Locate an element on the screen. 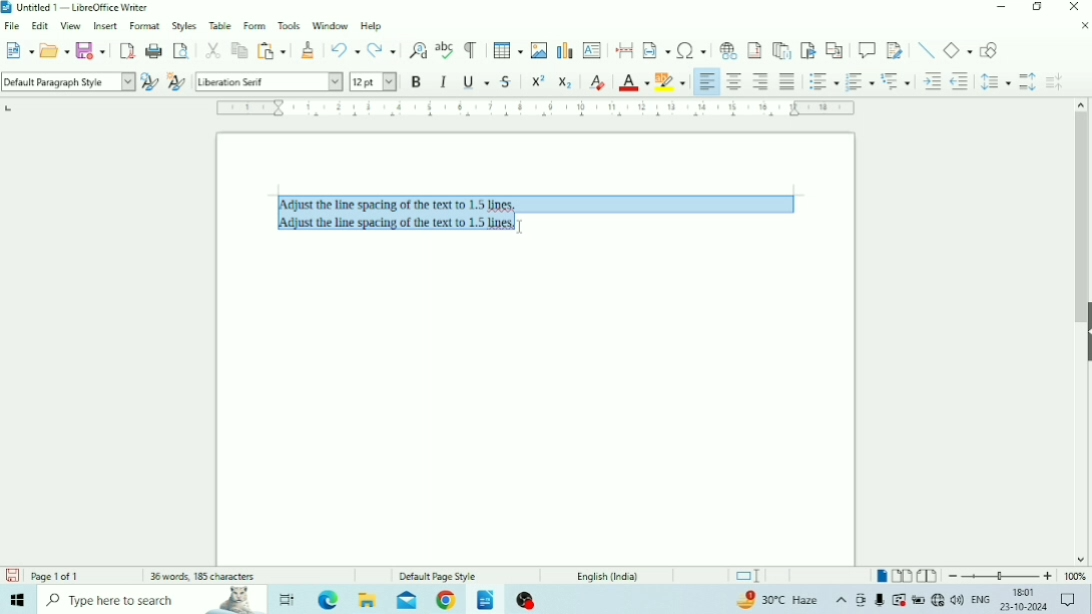  Italic is located at coordinates (444, 82).